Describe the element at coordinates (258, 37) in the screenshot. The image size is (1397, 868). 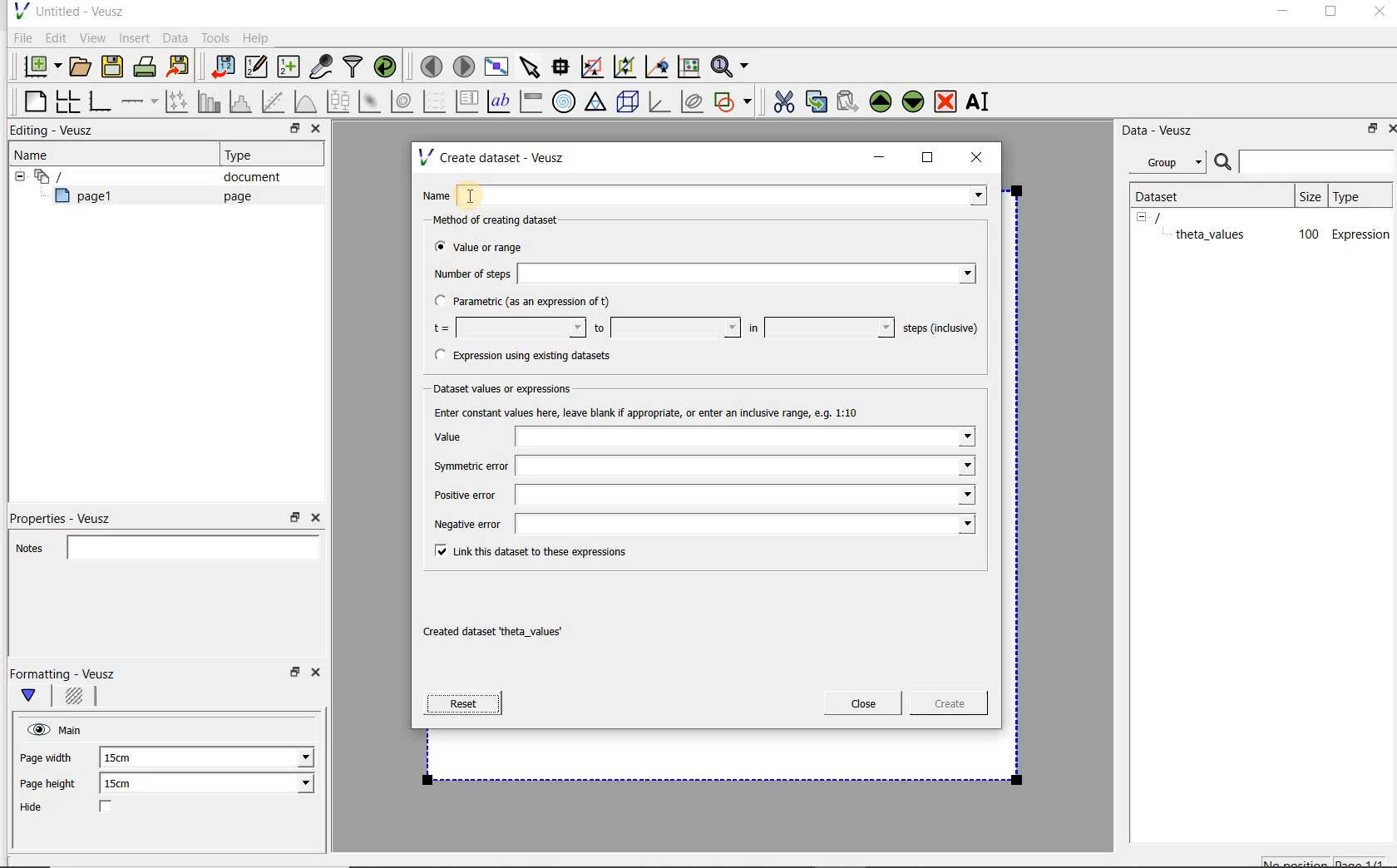
I see `Help` at that location.